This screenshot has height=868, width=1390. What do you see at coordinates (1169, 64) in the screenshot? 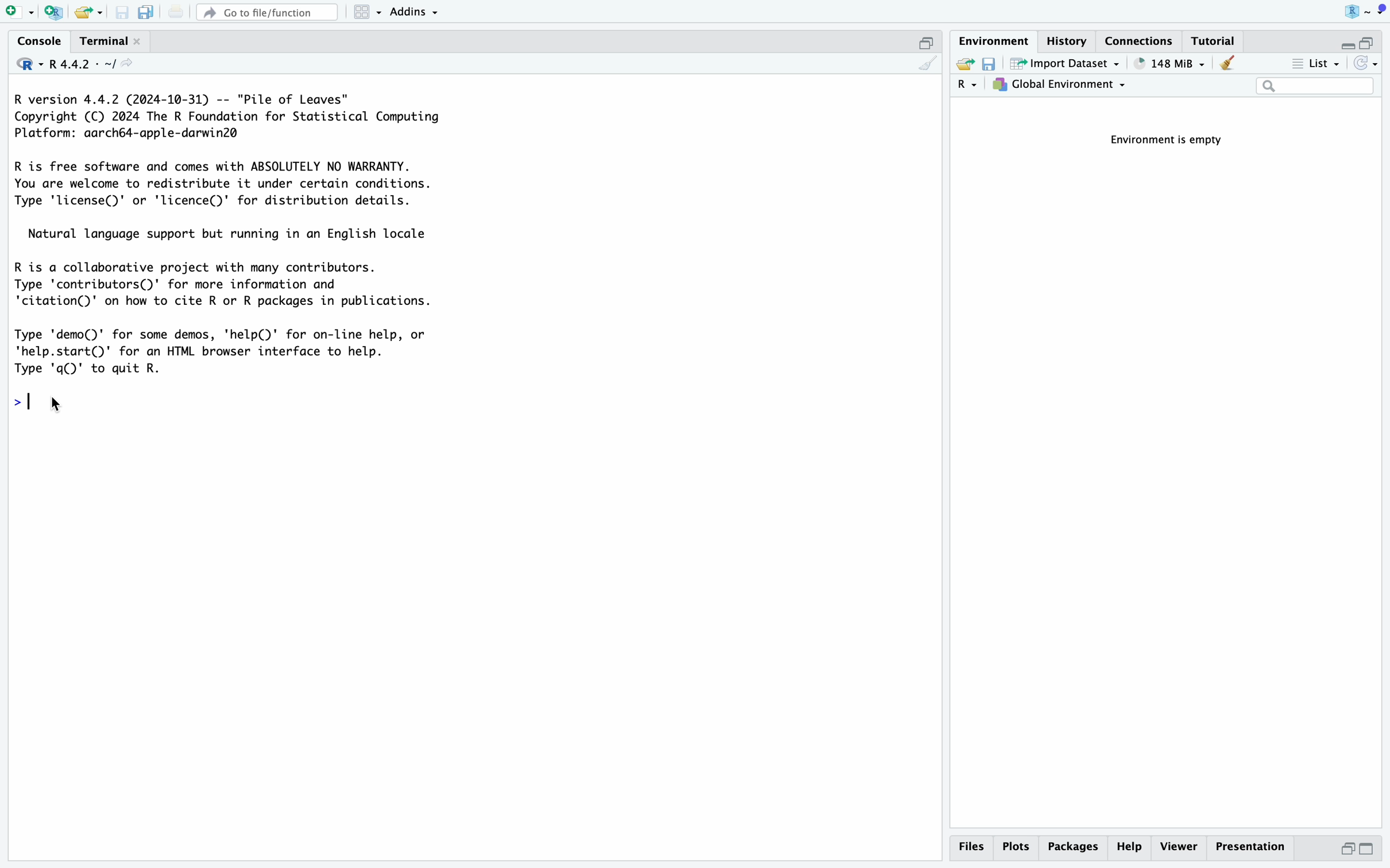
I see `148 MiB` at bounding box center [1169, 64].